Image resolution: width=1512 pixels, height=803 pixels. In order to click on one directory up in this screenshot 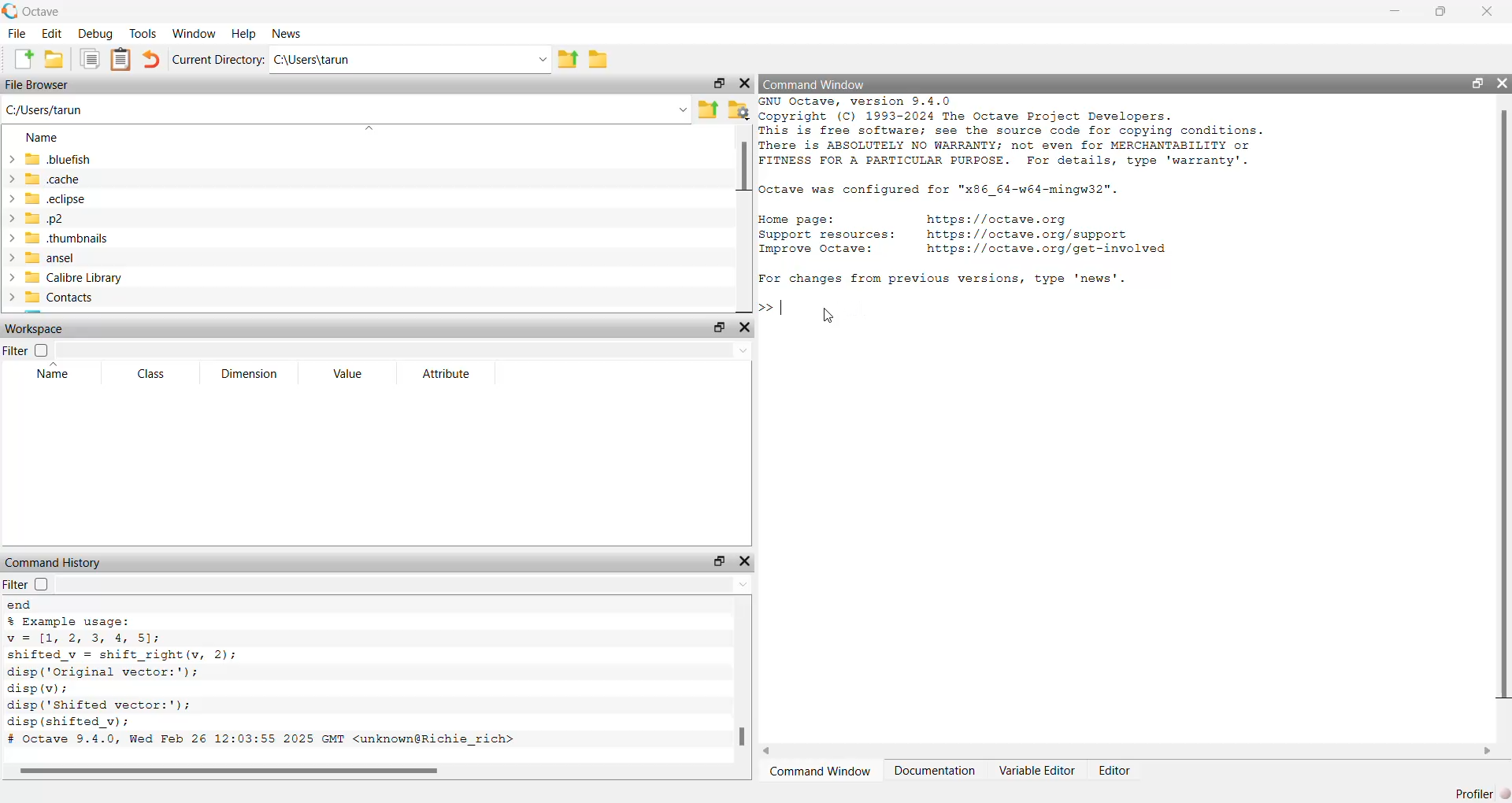, I will do `click(708, 109)`.